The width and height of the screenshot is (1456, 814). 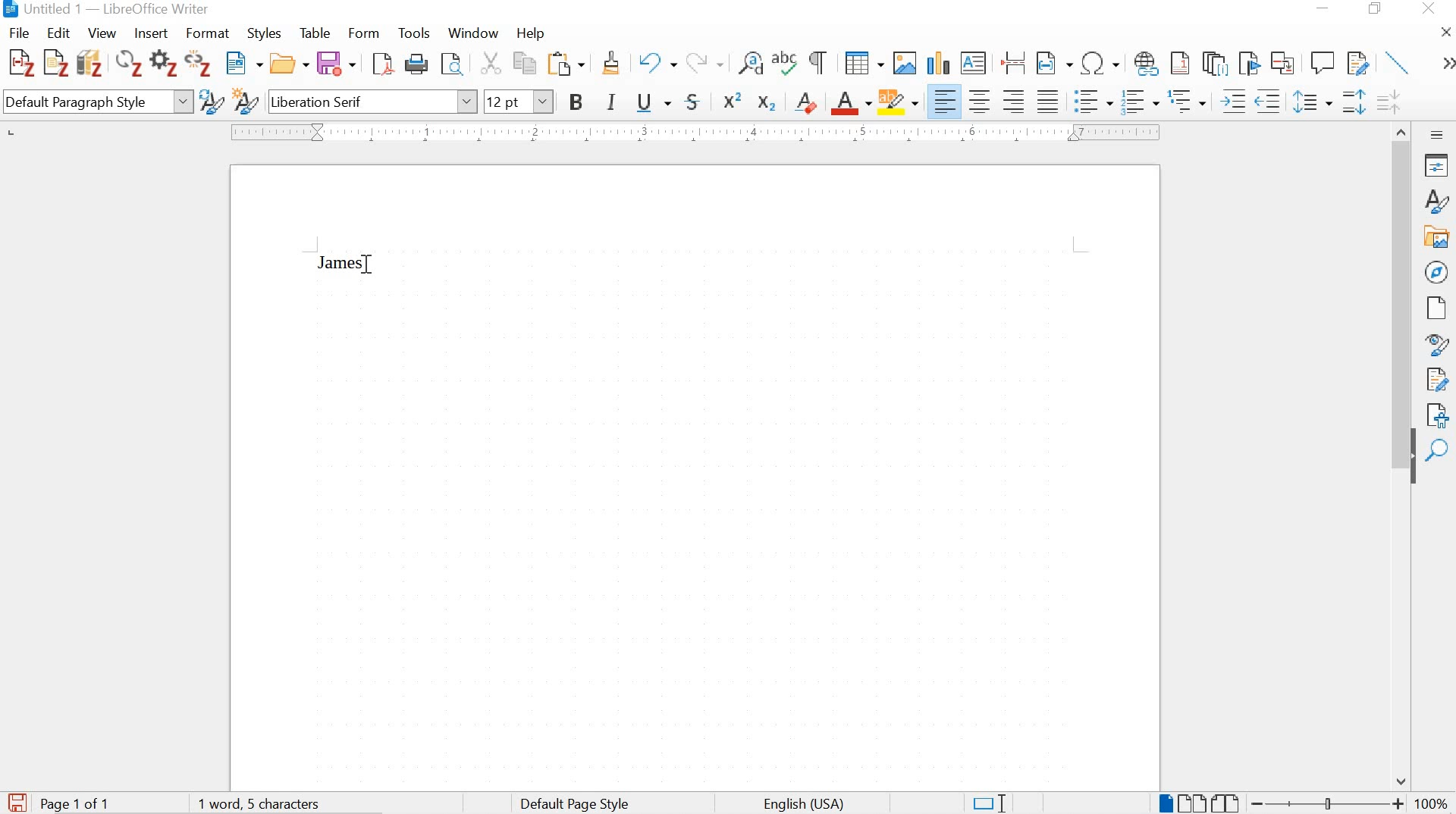 What do you see at coordinates (529, 33) in the screenshot?
I see `help` at bounding box center [529, 33].